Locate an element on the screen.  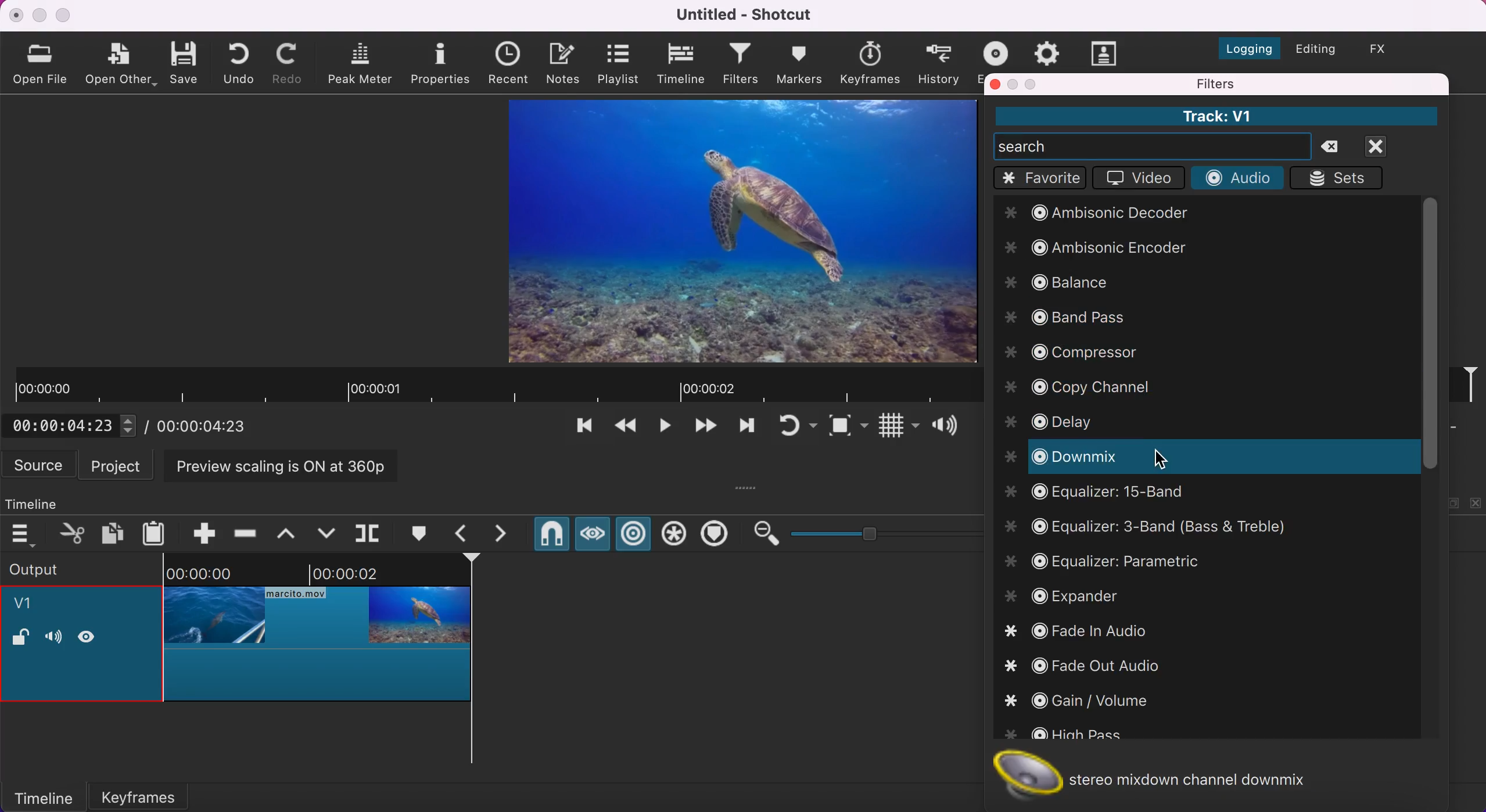
compressor is located at coordinates (1078, 352).